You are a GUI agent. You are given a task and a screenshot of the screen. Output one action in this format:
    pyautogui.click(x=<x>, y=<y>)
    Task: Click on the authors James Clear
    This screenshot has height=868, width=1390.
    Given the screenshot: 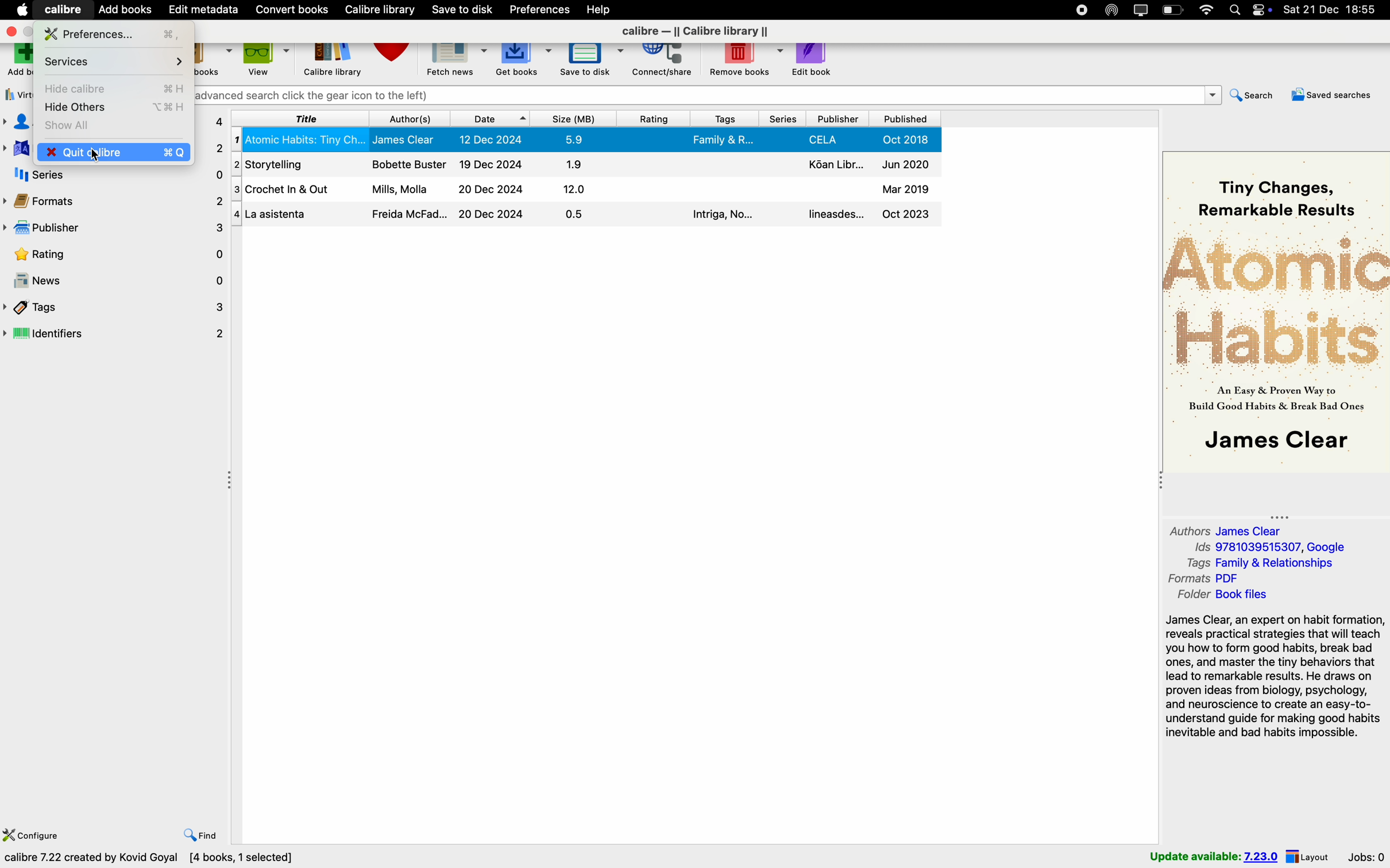 What is the action you would take?
    pyautogui.click(x=1226, y=530)
    